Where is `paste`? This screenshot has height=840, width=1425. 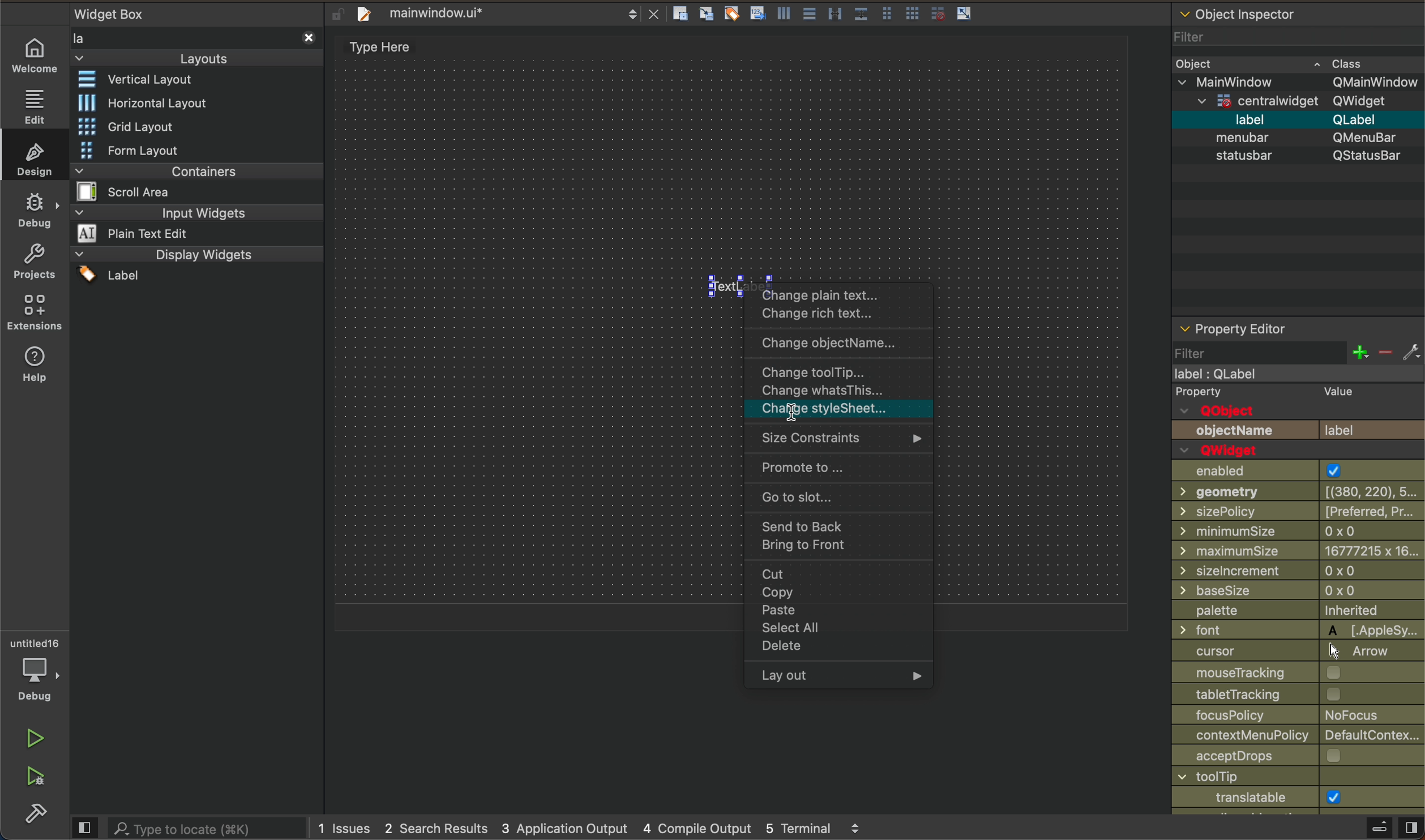 paste is located at coordinates (838, 612).